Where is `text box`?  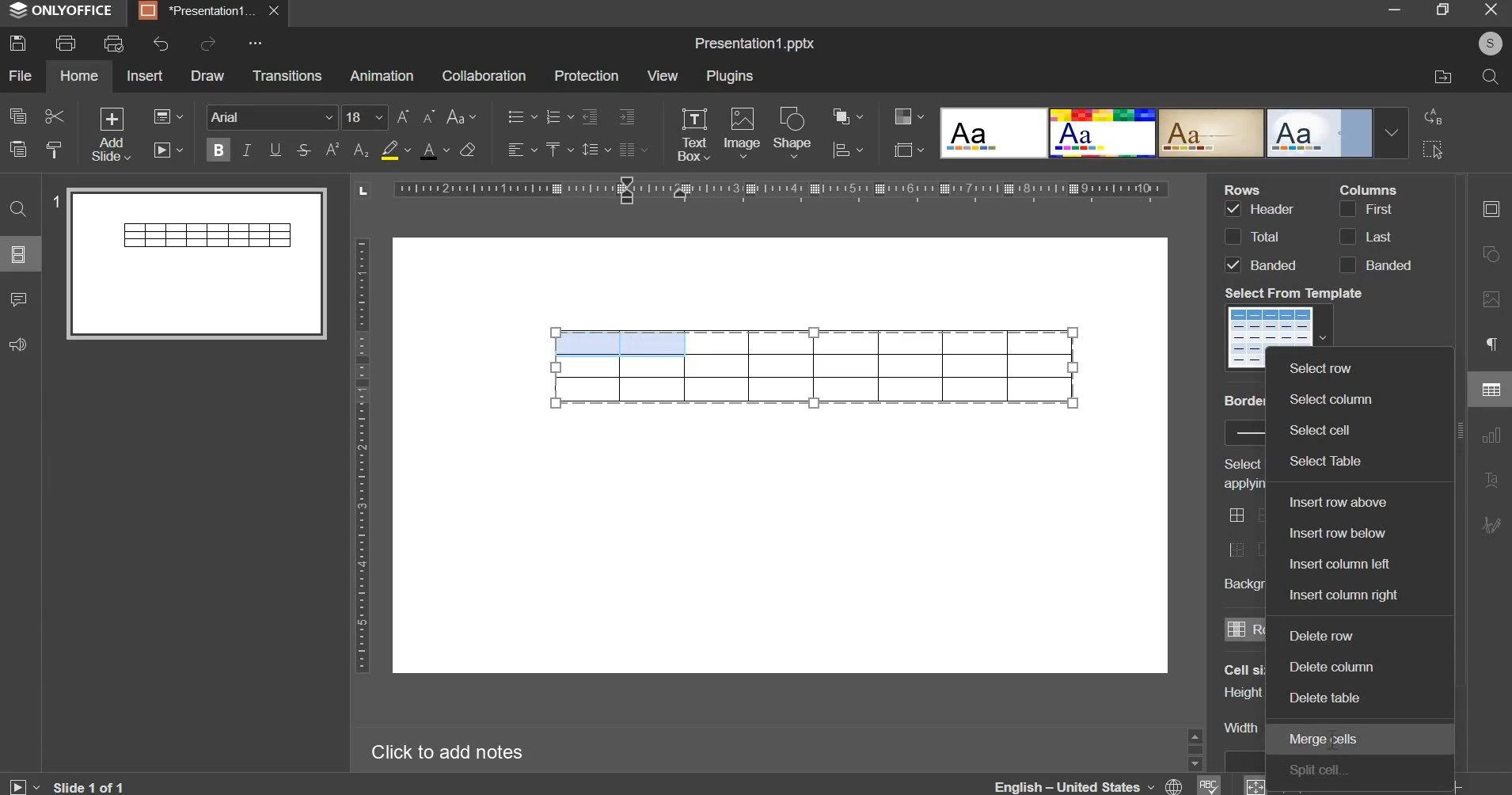
text box is located at coordinates (693, 135).